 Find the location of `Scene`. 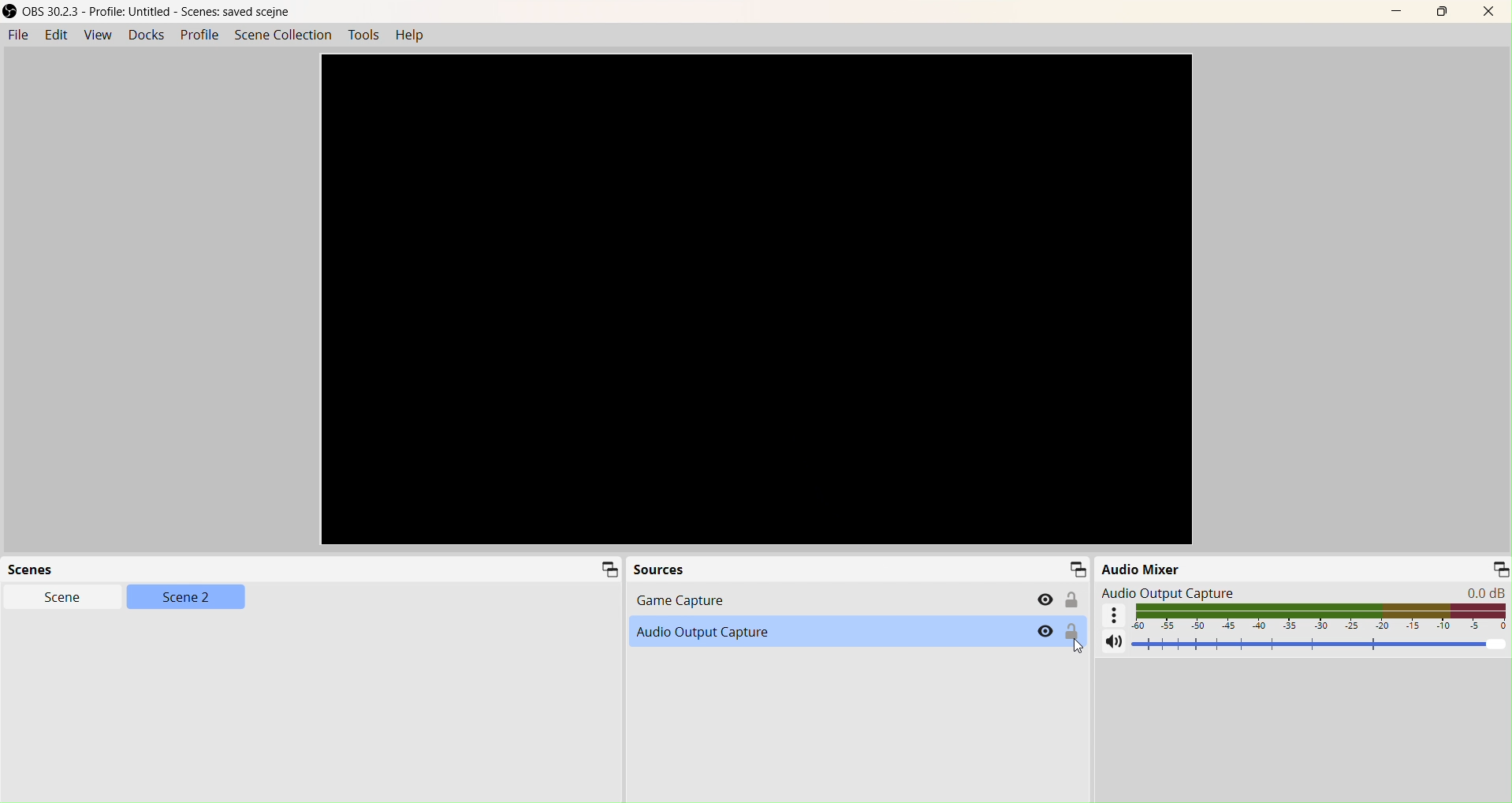

Scene is located at coordinates (66, 599).